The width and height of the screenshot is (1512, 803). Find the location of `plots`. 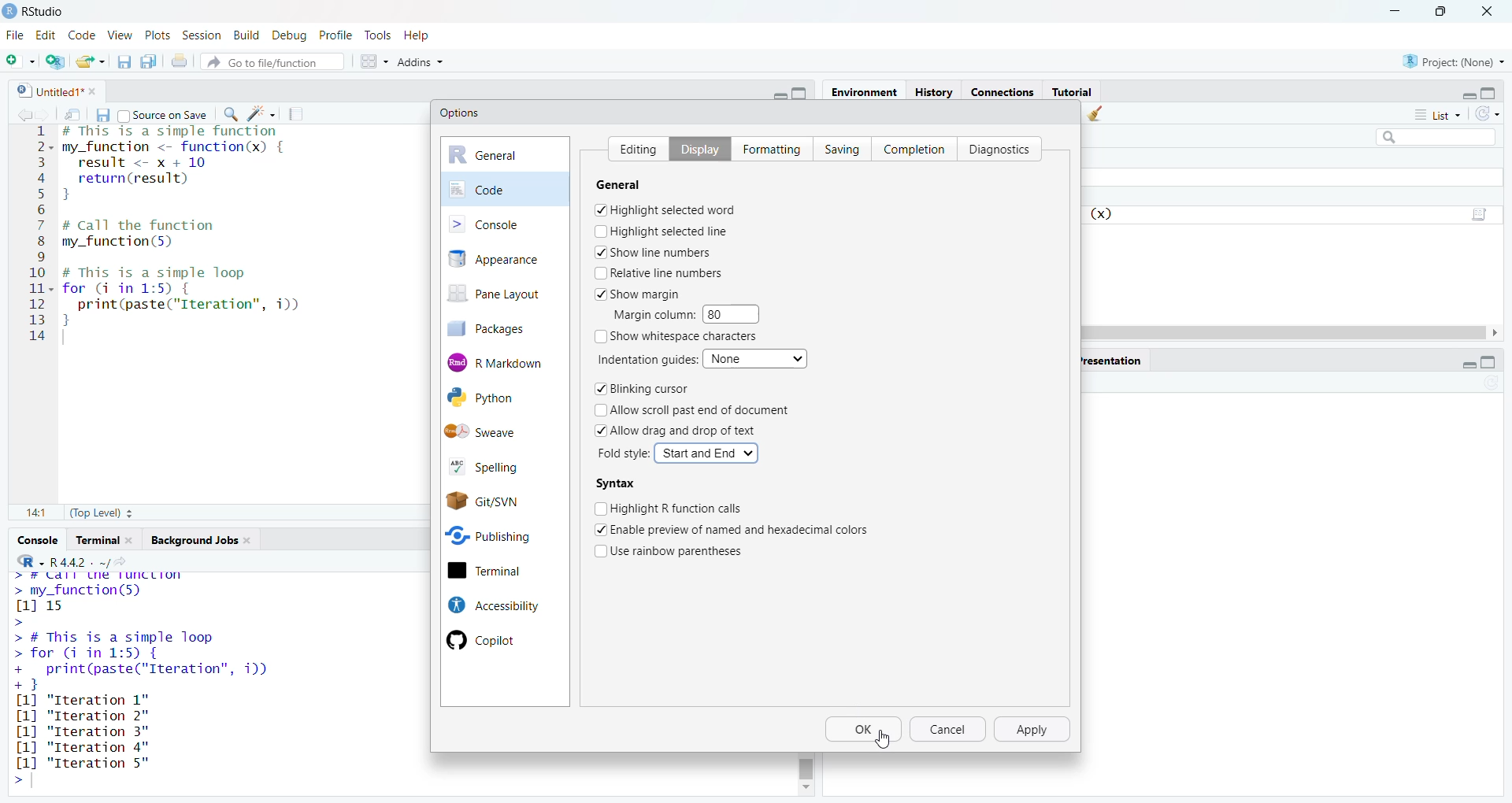

plots is located at coordinates (156, 34).